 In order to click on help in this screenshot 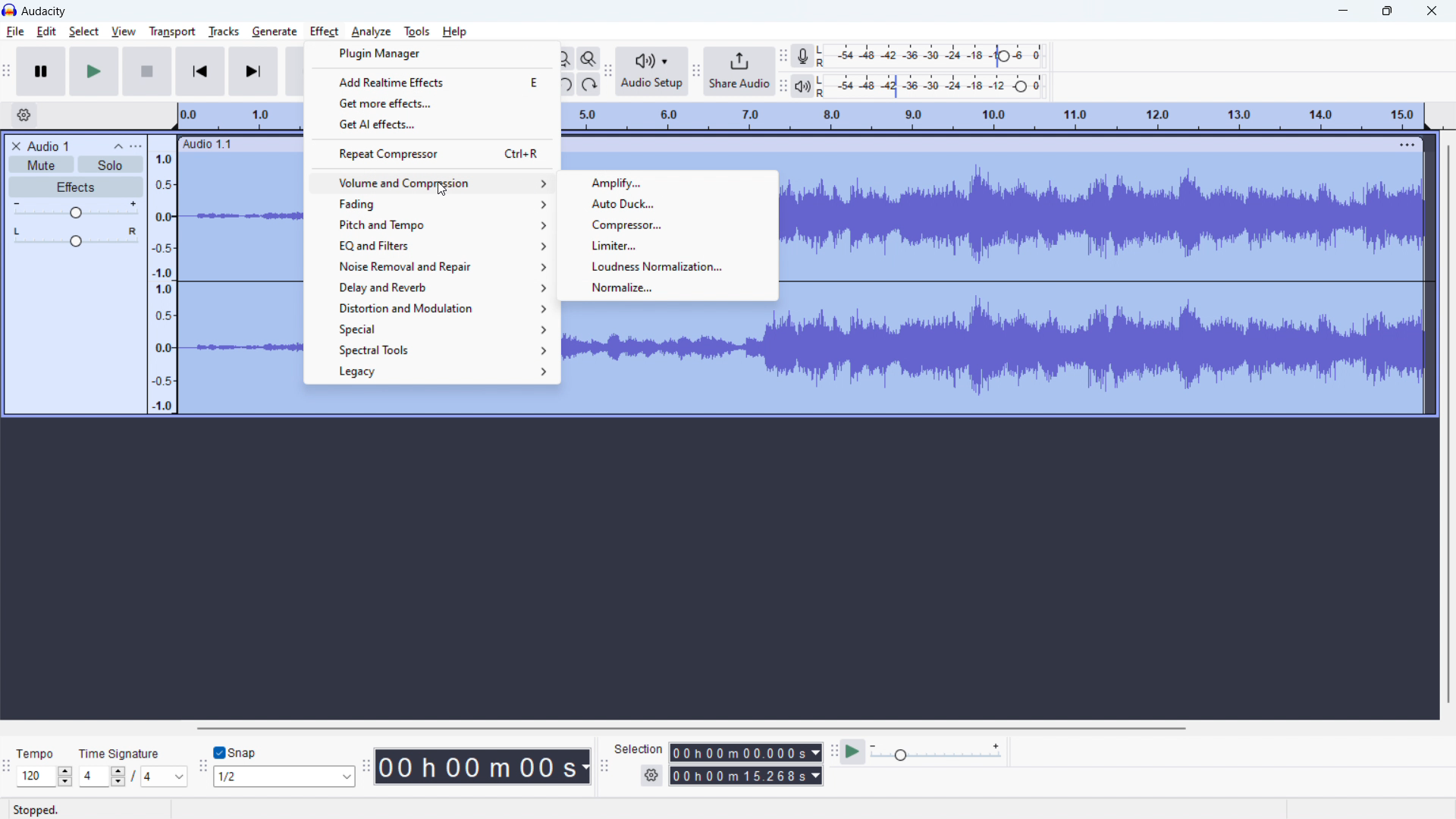, I will do `click(455, 32)`.